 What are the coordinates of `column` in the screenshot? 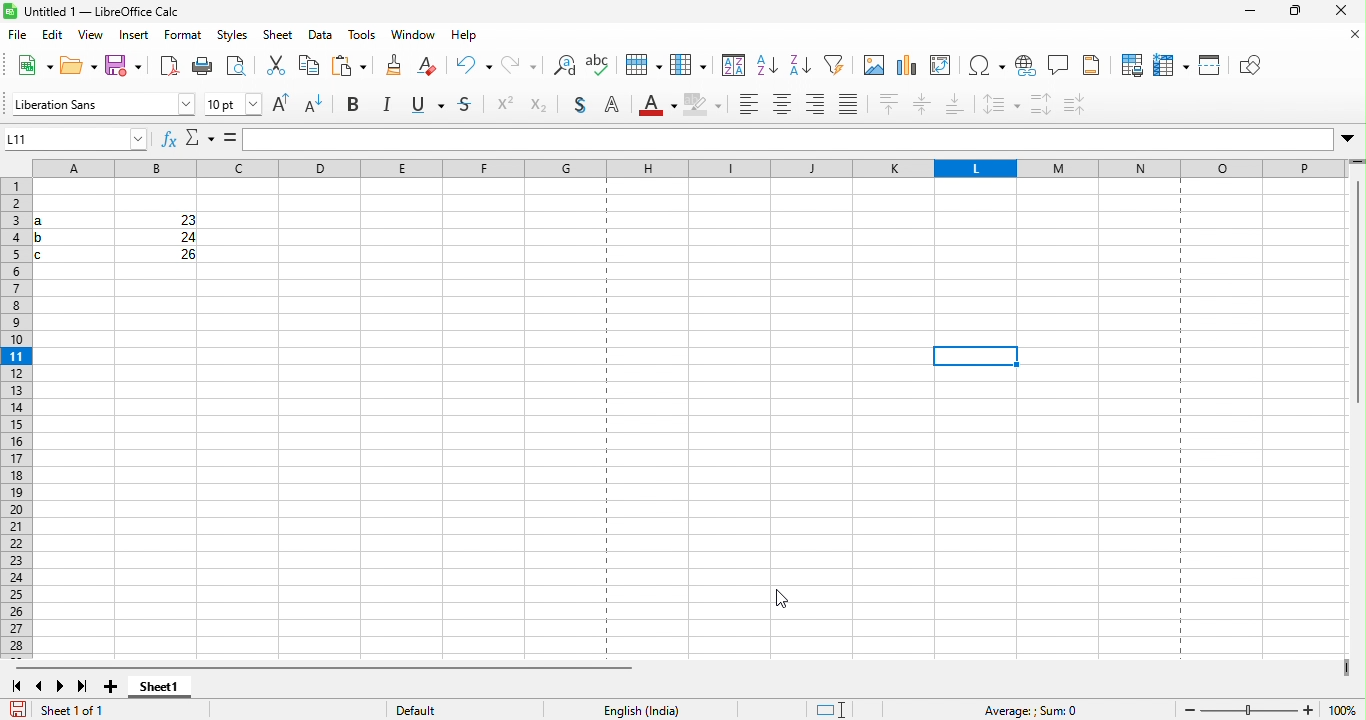 It's located at (640, 66).